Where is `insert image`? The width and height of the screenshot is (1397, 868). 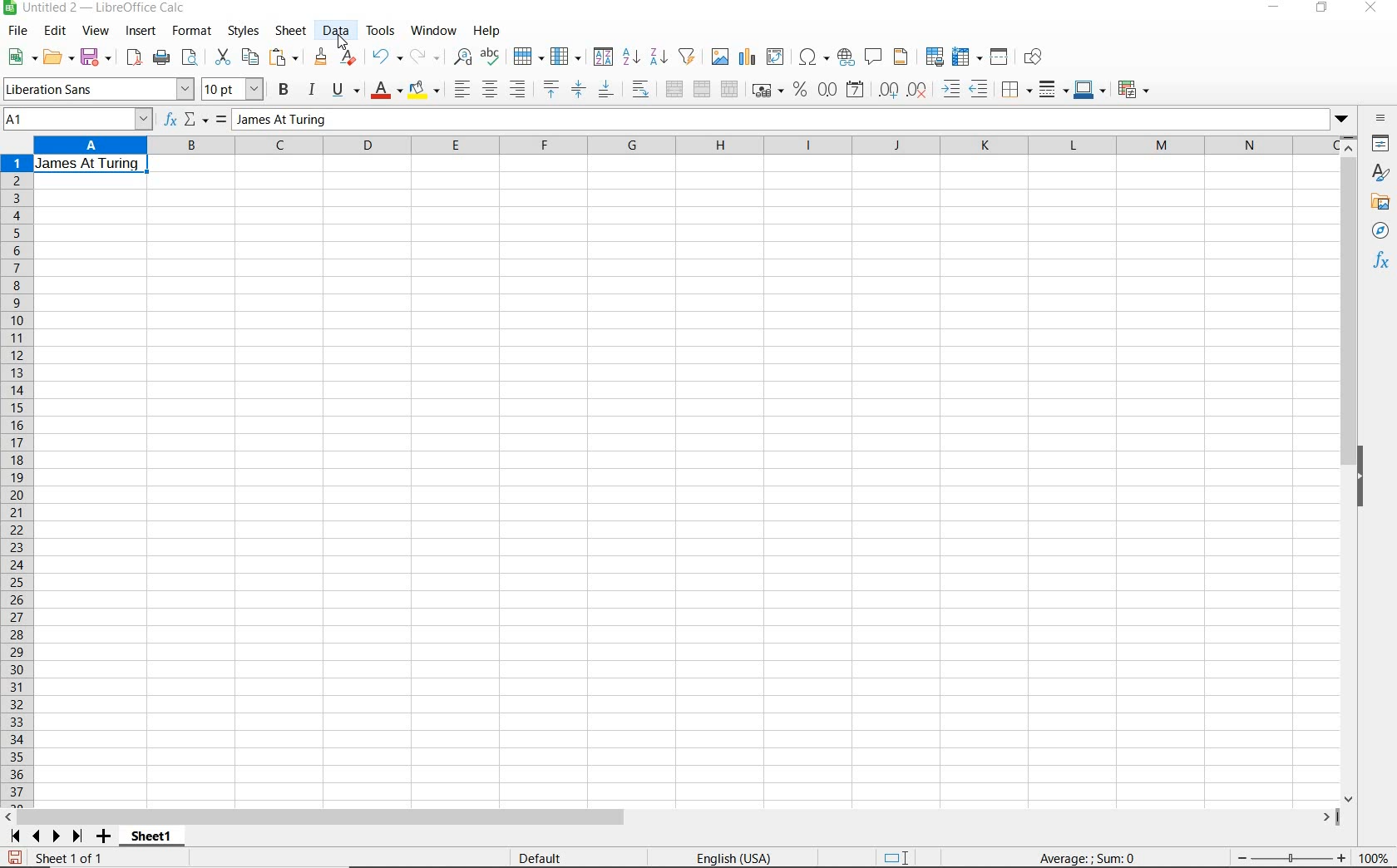 insert image is located at coordinates (721, 57).